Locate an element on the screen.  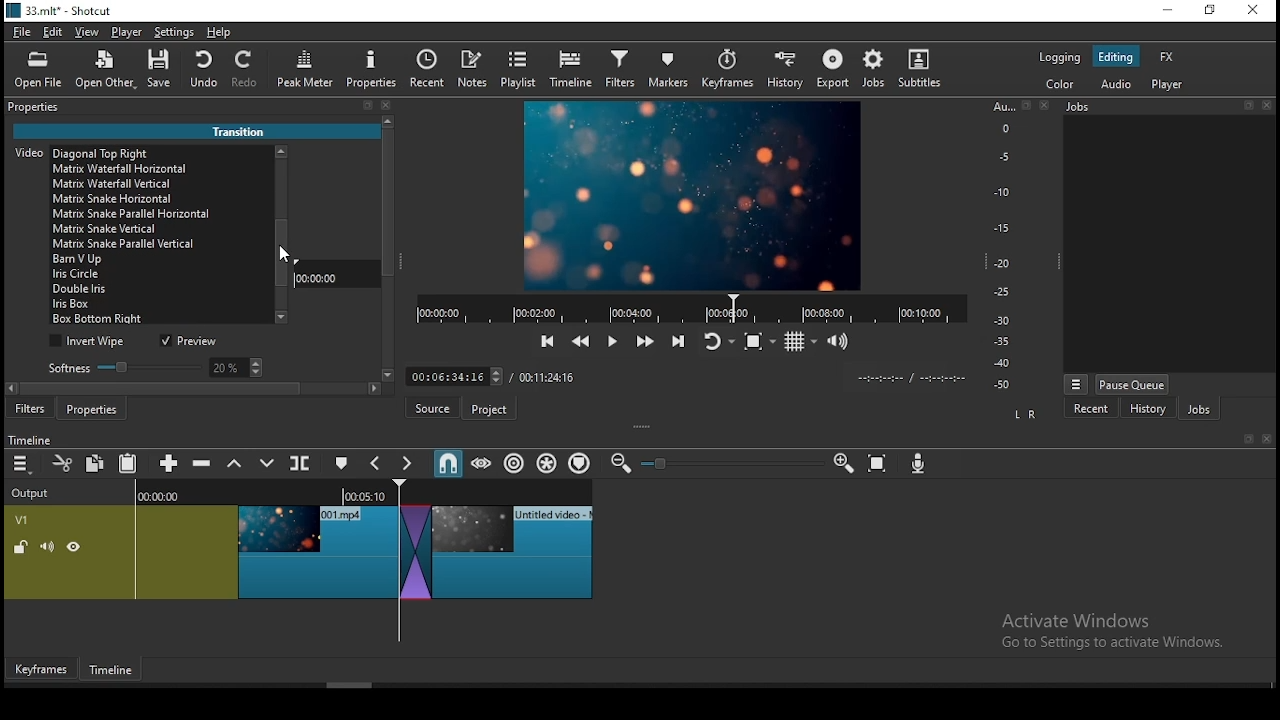
play quickly backward is located at coordinates (579, 339).